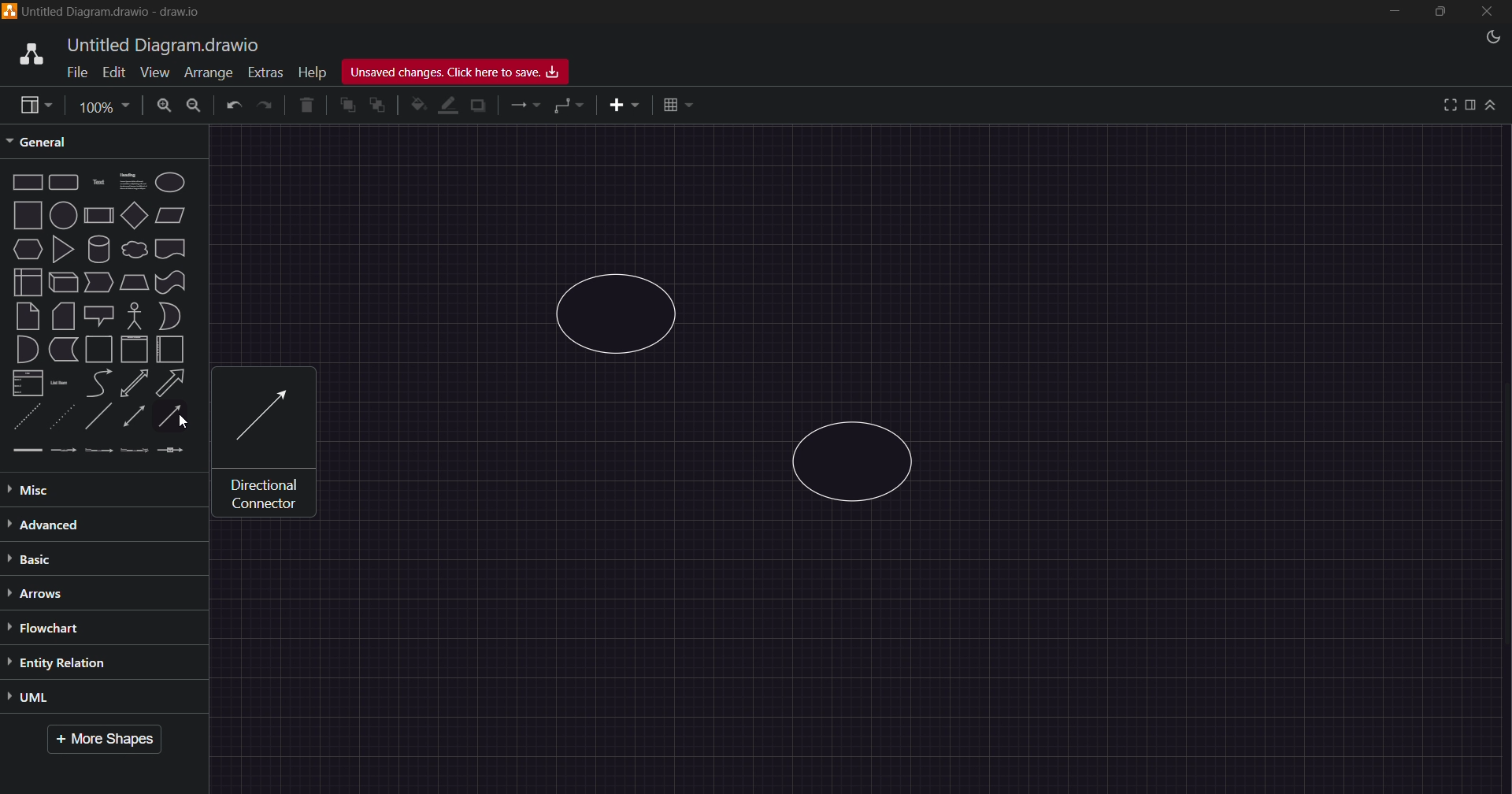 The width and height of the screenshot is (1512, 794). I want to click on Title, so click(118, 13).